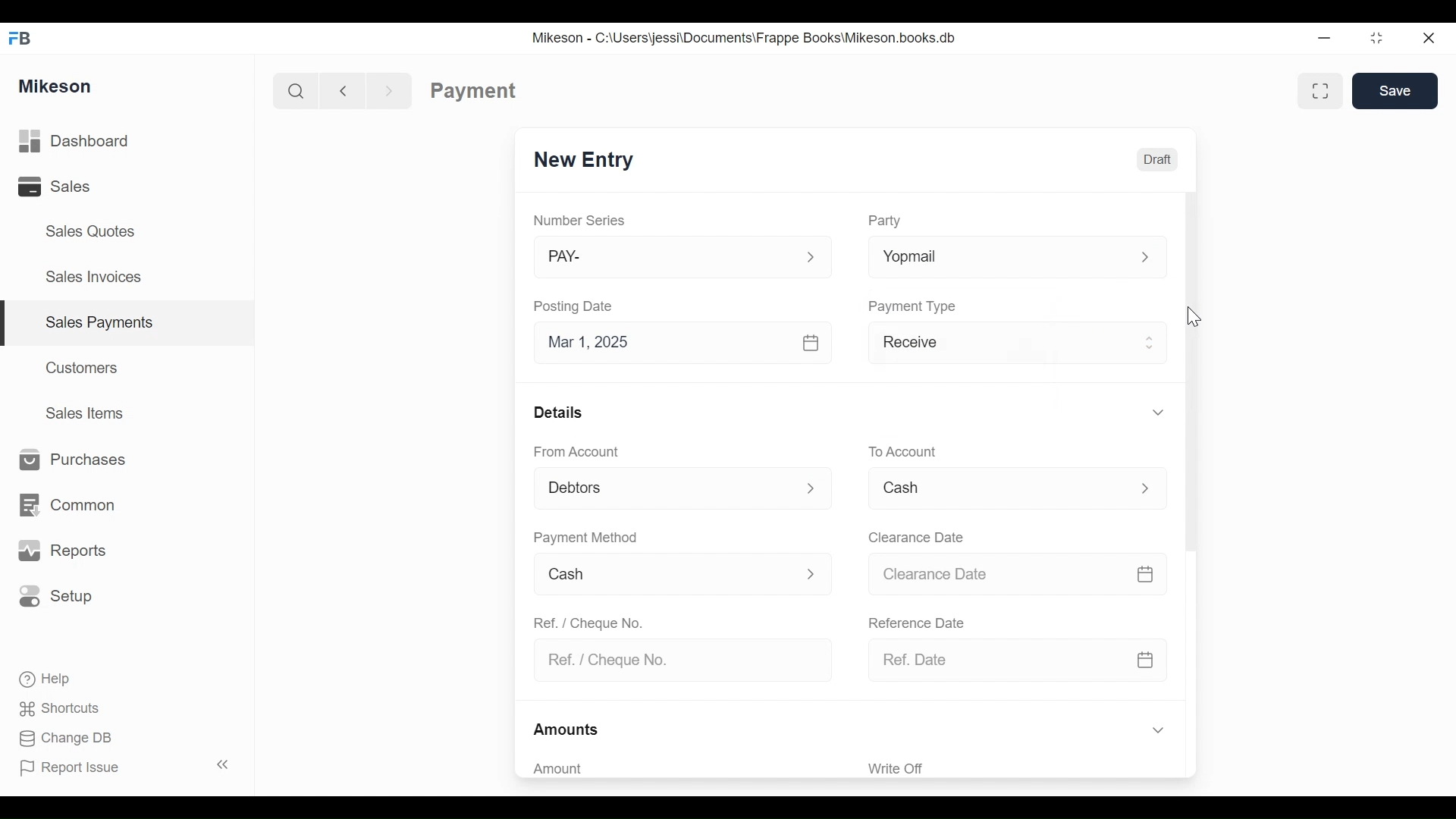 Image resolution: width=1456 pixels, height=819 pixels. What do you see at coordinates (582, 307) in the screenshot?
I see `Posting Date` at bounding box center [582, 307].